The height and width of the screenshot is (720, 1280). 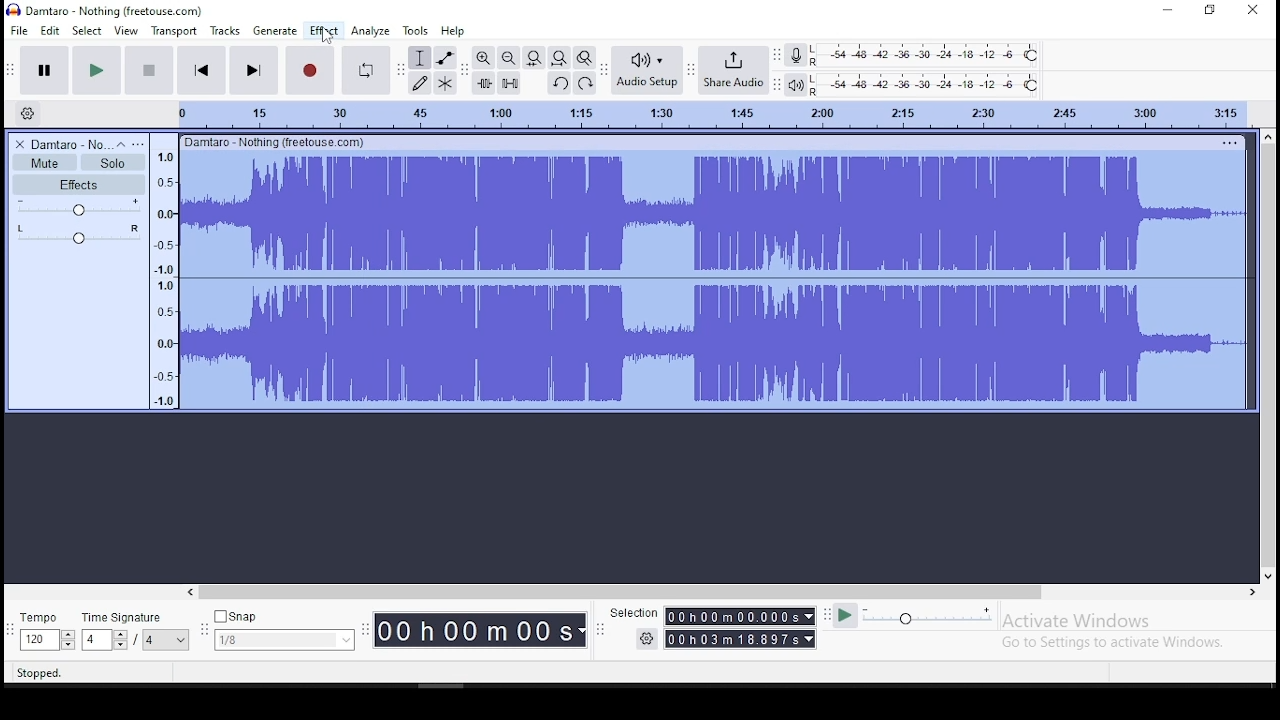 What do you see at coordinates (534, 58) in the screenshot?
I see `fit project to width` at bounding box center [534, 58].